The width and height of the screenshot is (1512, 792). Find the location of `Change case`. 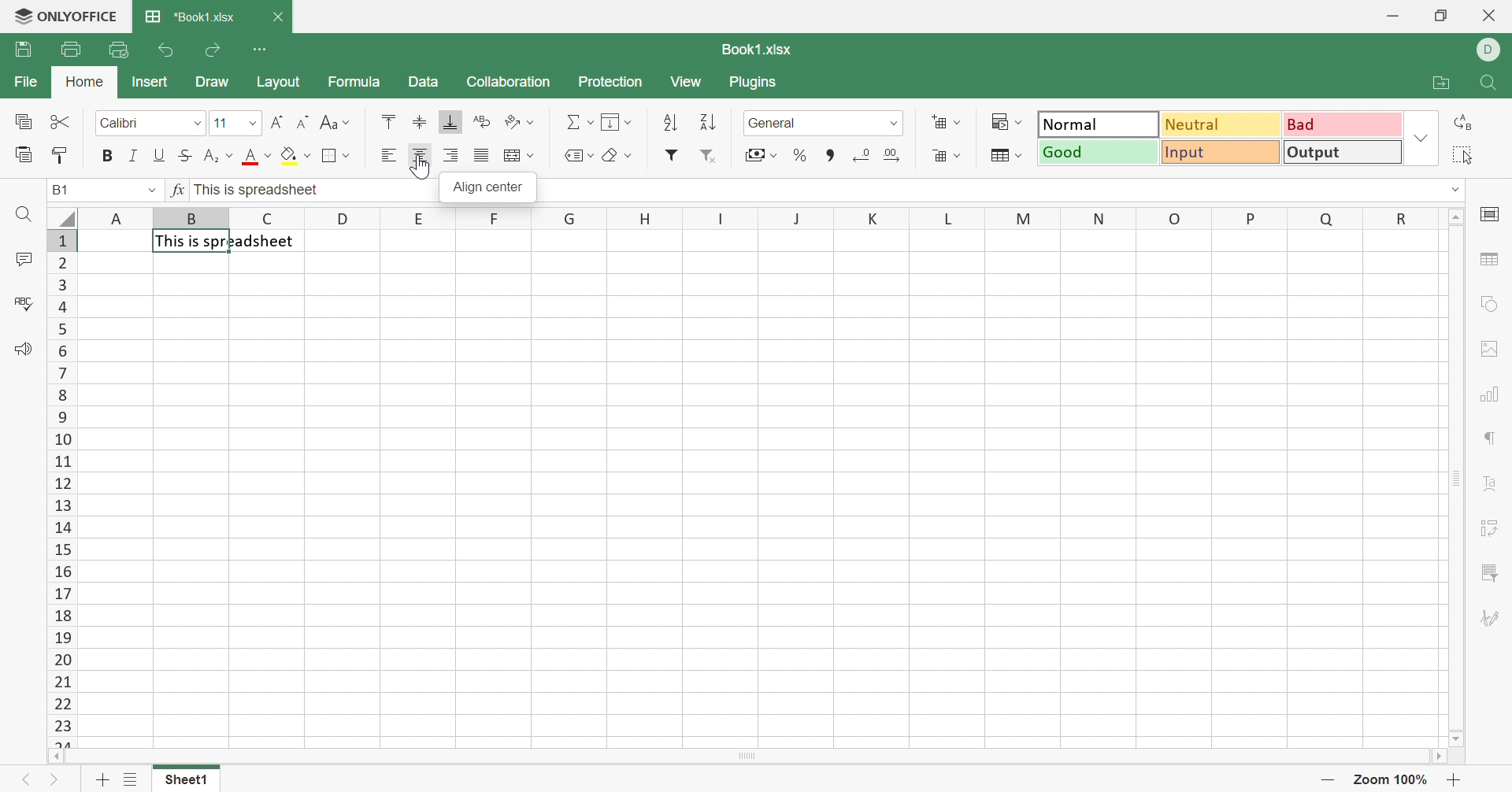

Change case is located at coordinates (328, 121).